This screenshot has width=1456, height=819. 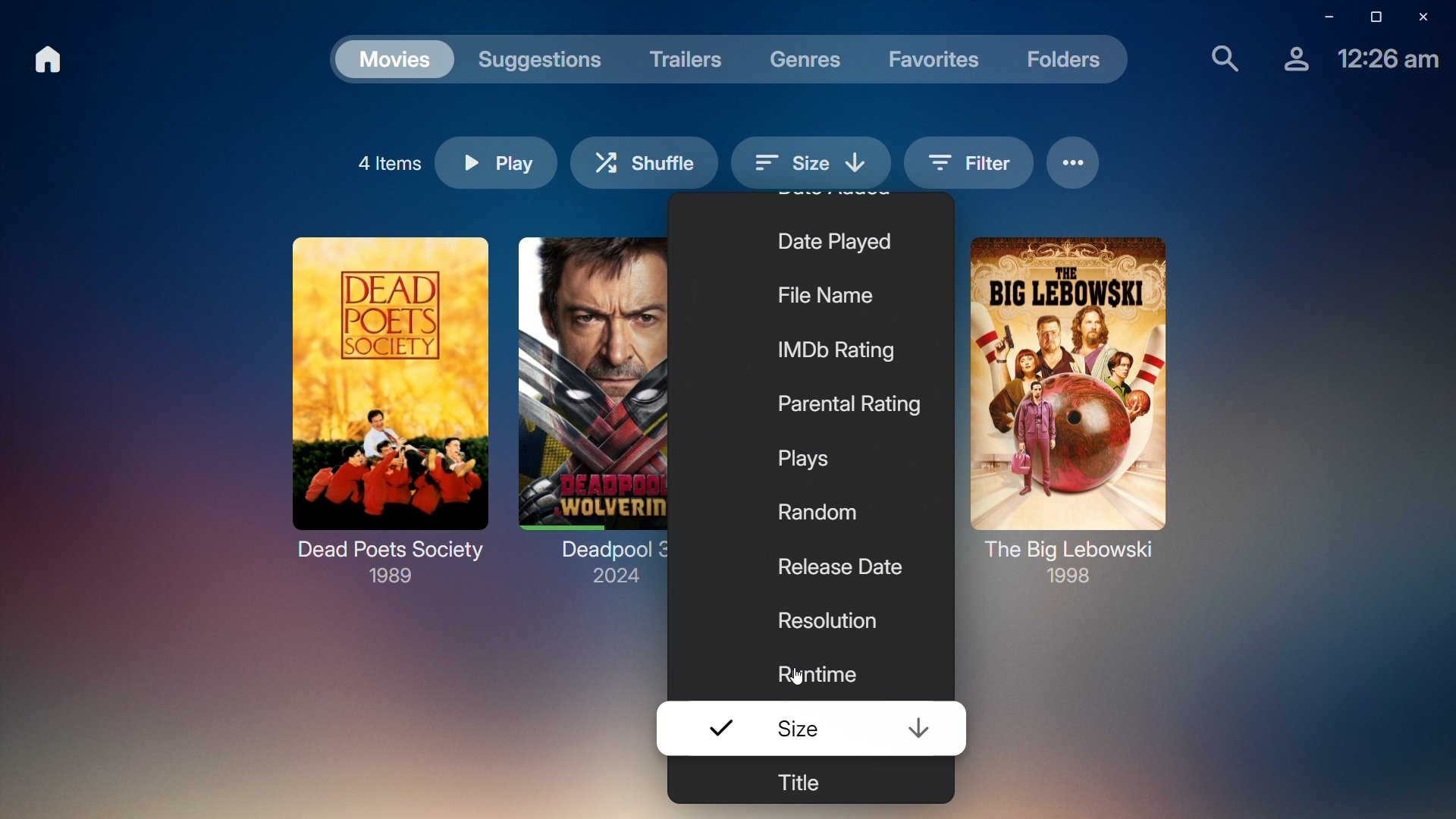 What do you see at coordinates (969, 162) in the screenshot?
I see `Filter` at bounding box center [969, 162].